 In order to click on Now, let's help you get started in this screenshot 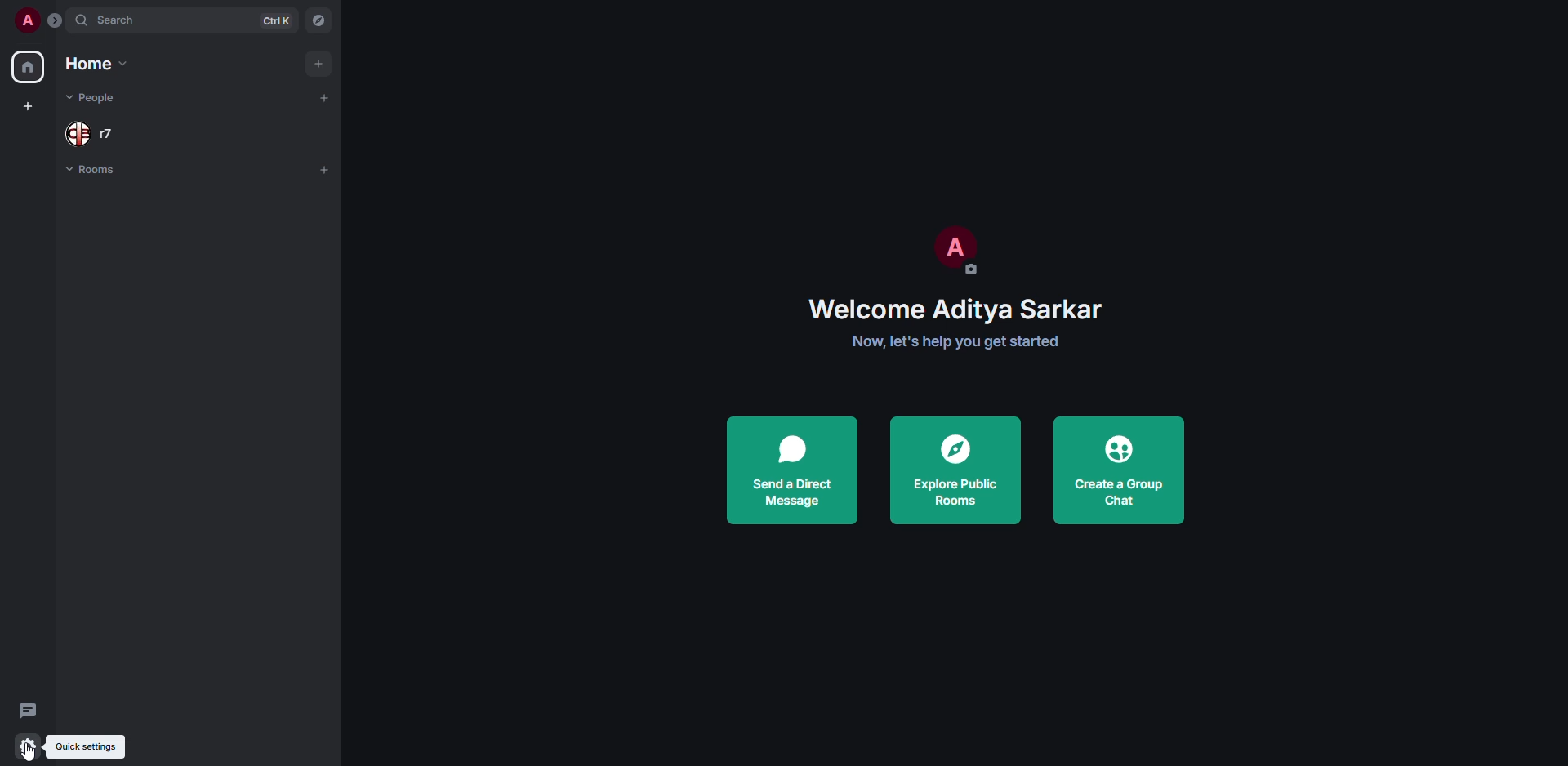, I will do `click(952, 344)`.